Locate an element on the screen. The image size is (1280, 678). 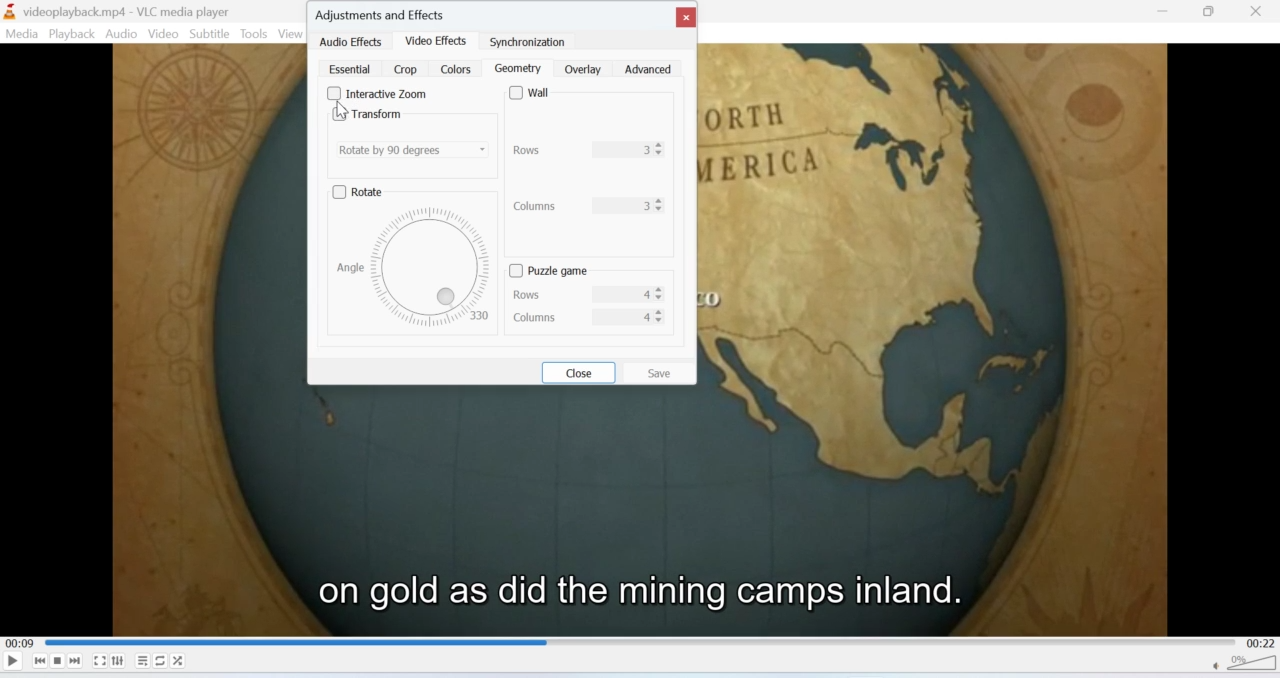
geometry is located at coordinates (519, 69).